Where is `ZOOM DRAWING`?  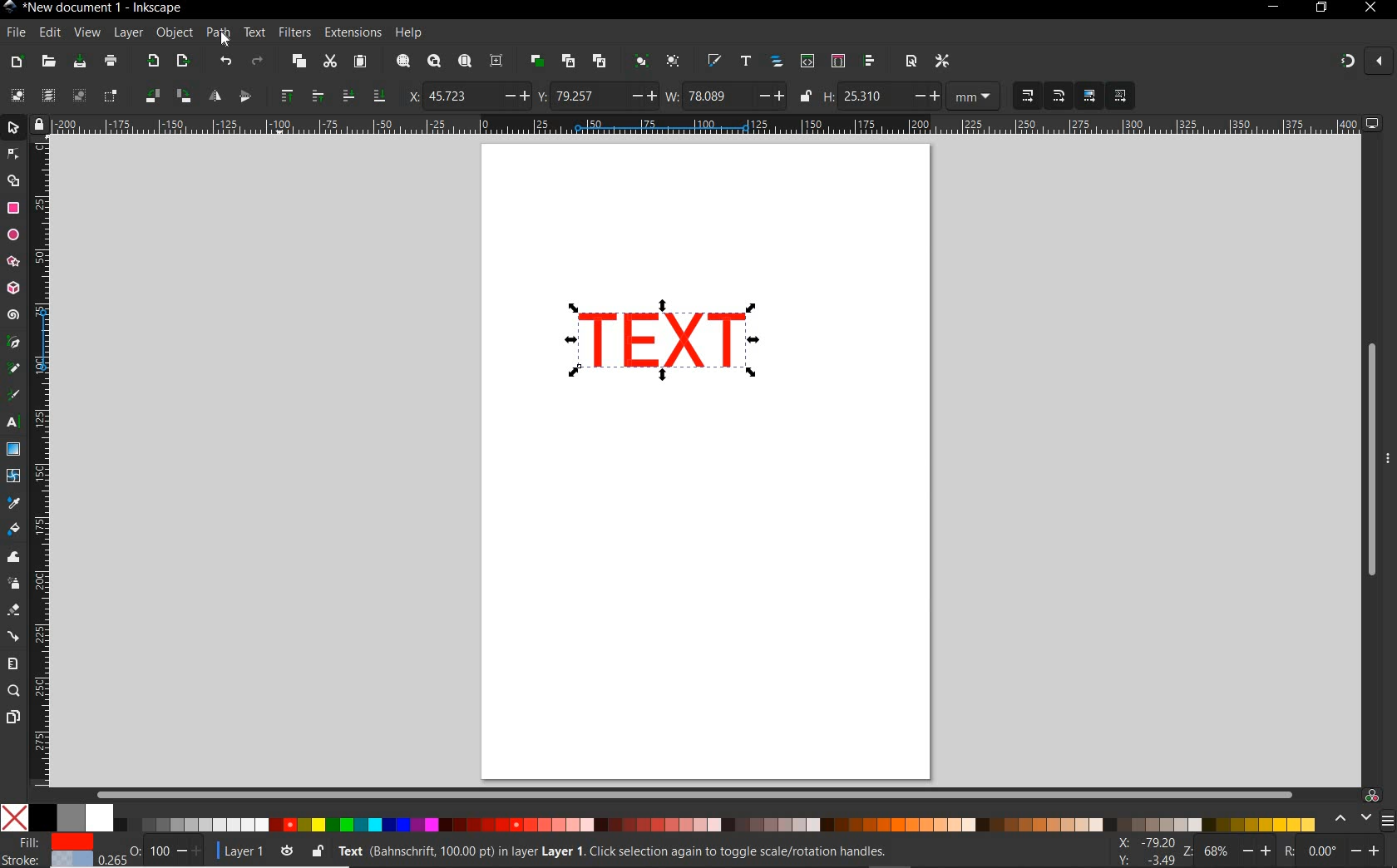 ZOOM DRAWING is located at coordinates (432, 62).